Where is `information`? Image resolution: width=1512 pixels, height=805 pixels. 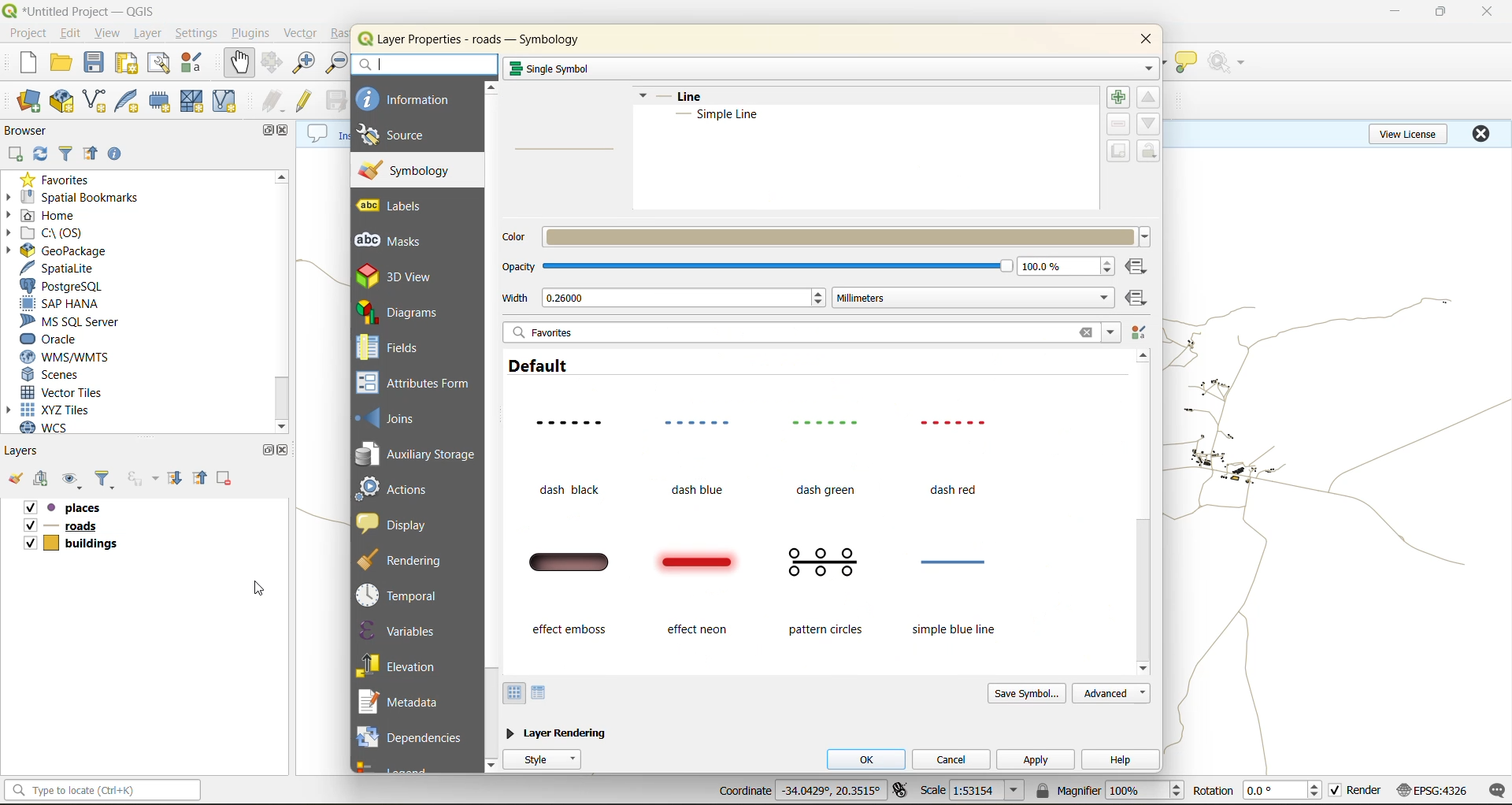 information is located at coordinates (409, 98).